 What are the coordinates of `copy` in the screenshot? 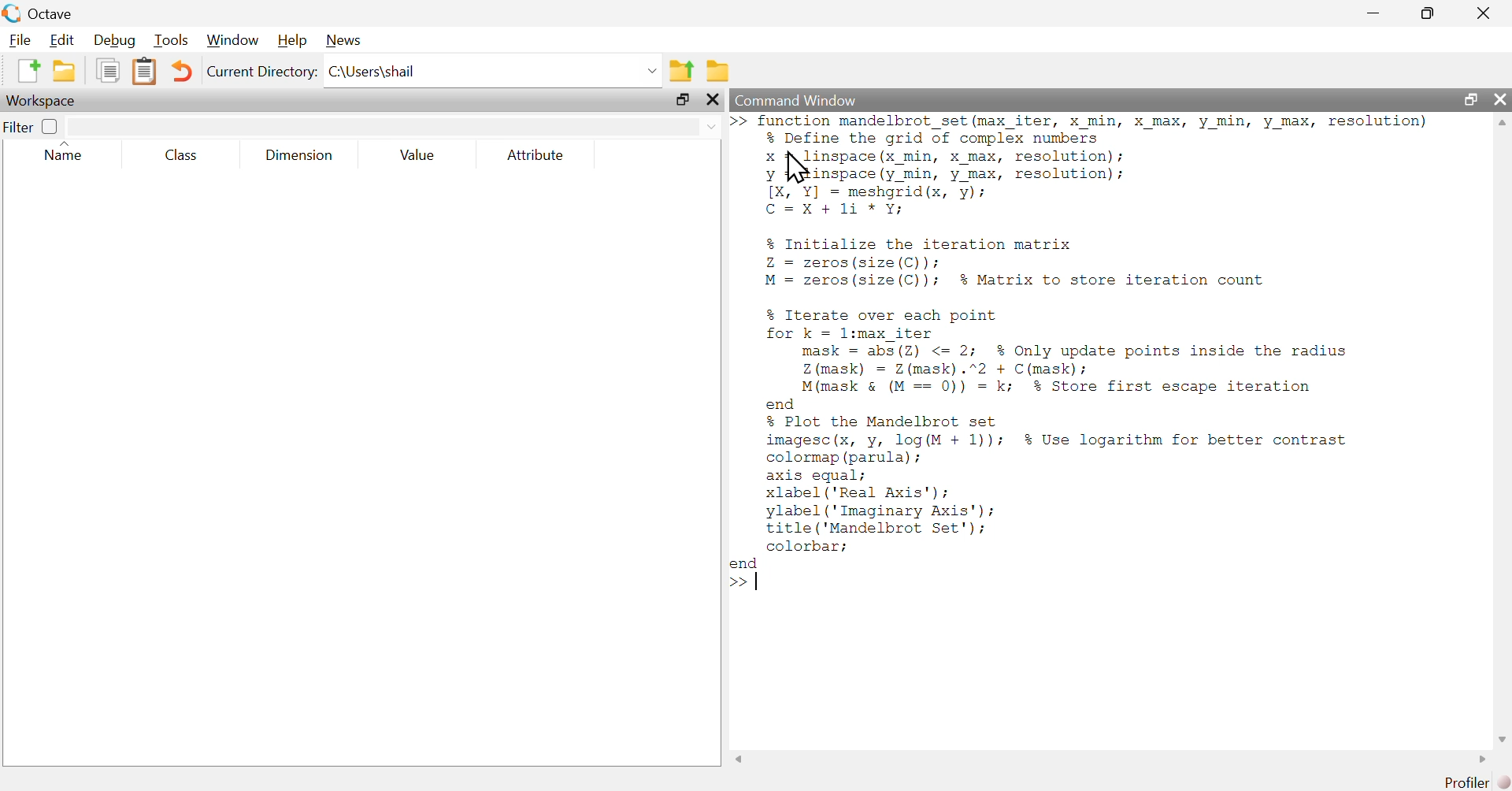 It's located at (107, 71).